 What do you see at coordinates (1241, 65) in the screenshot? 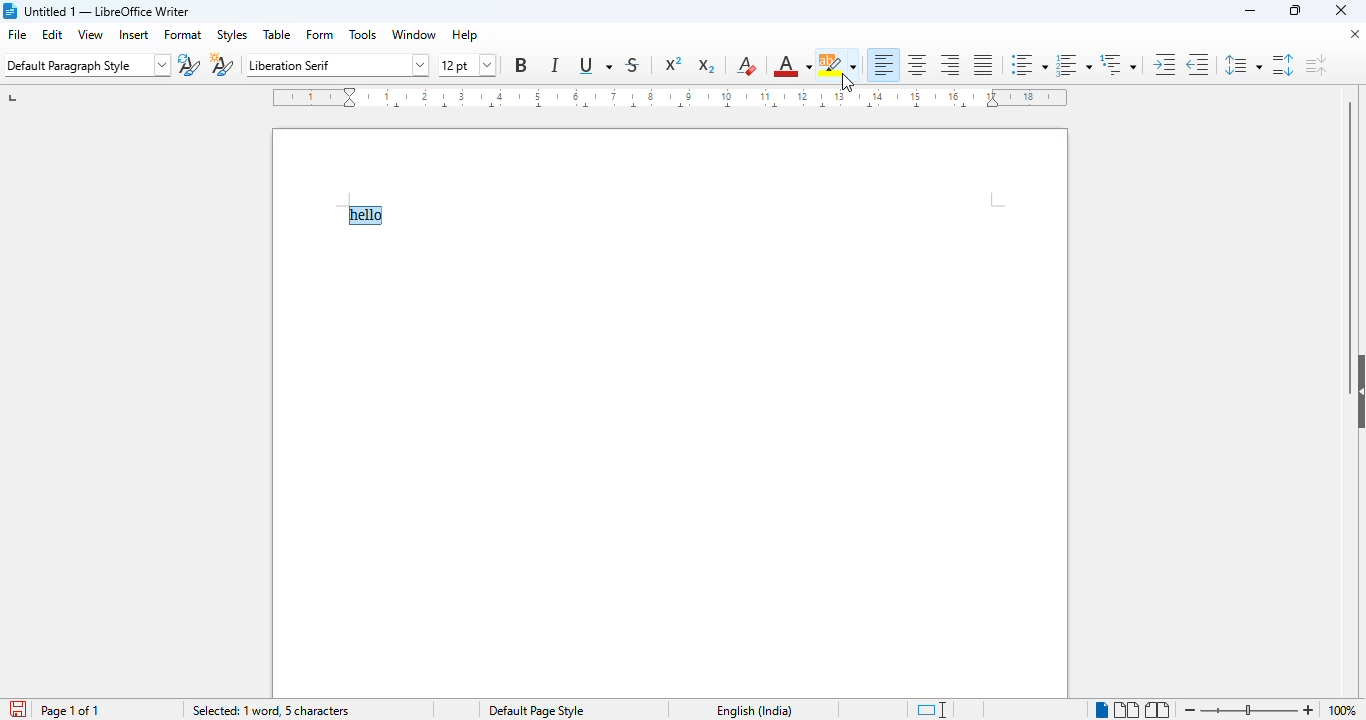
I see `set line spacing` at bounding box center [1241, 65].